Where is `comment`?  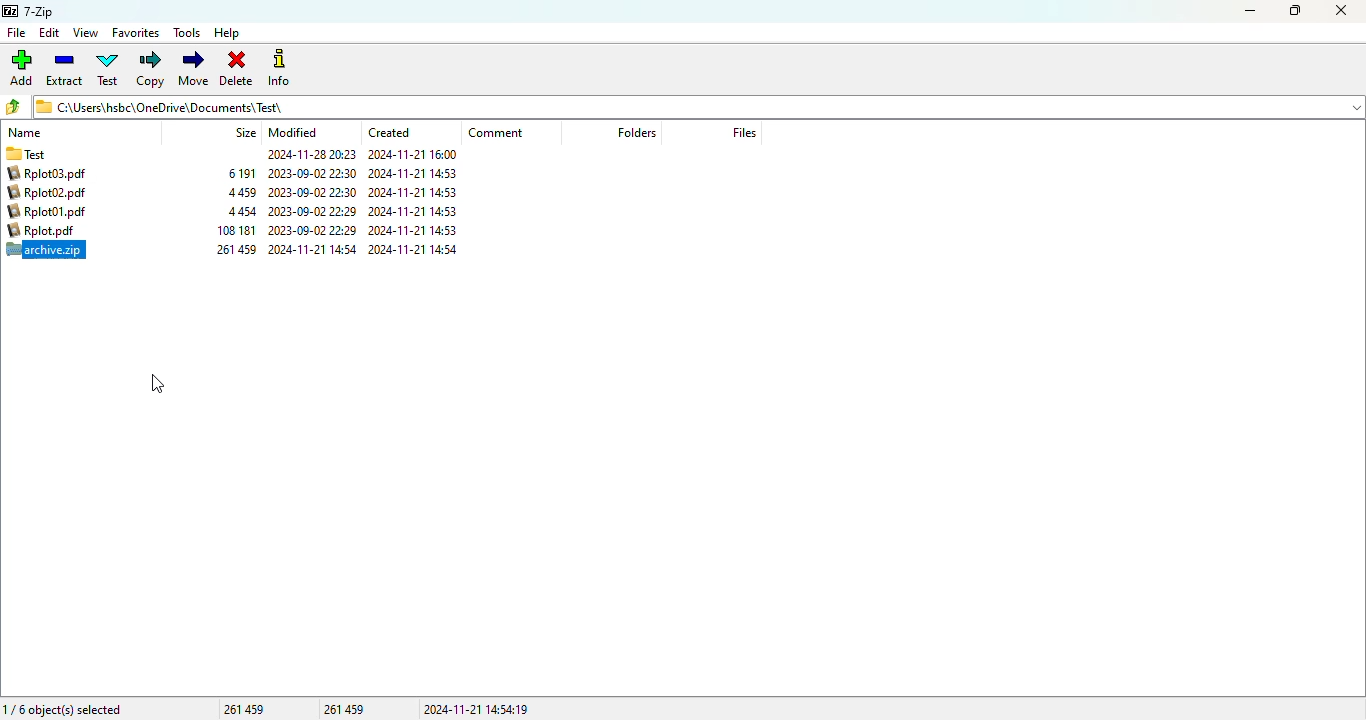
comment is located at coordinates (496, 133).